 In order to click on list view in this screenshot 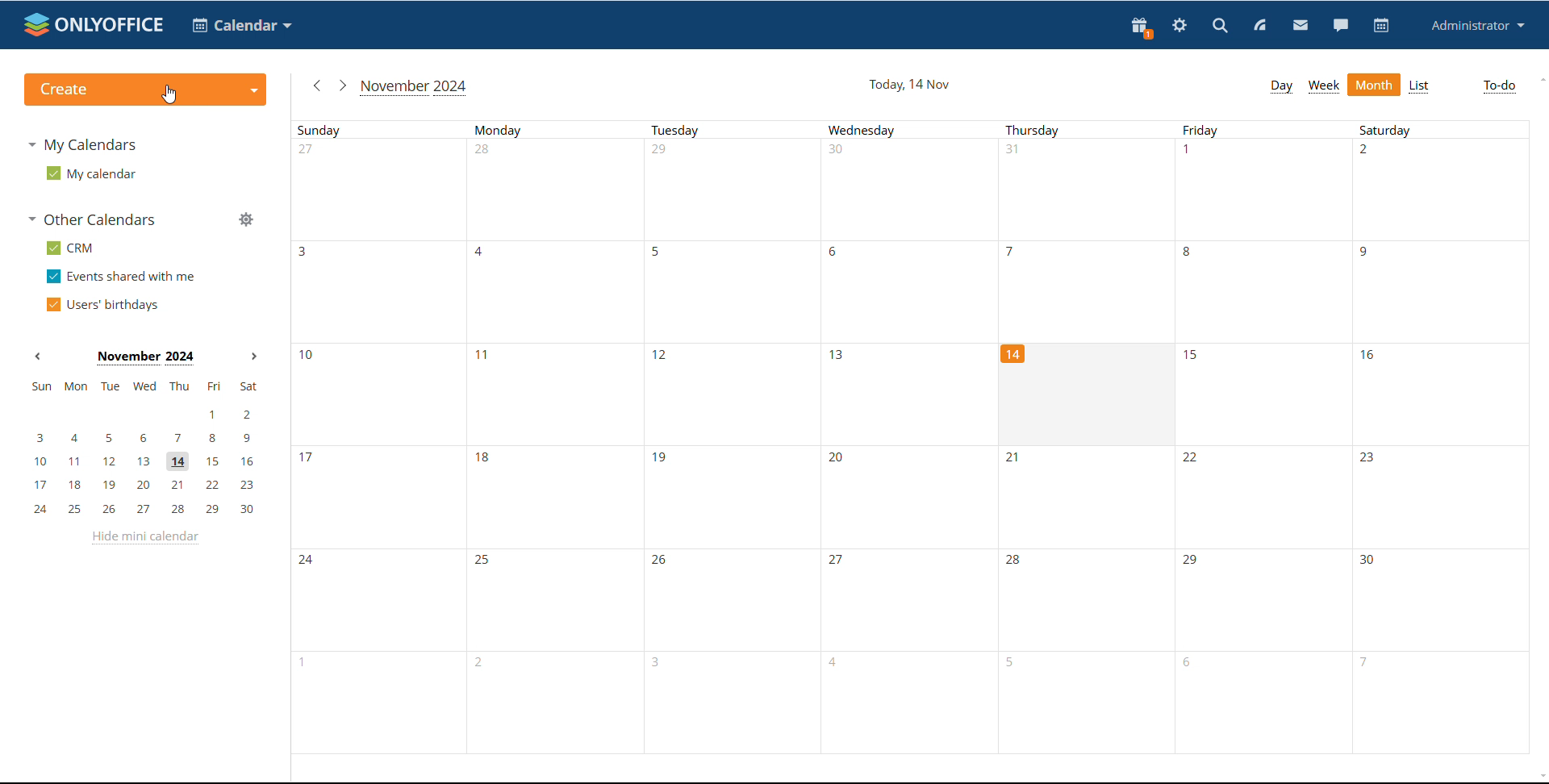, I will do `click(1418, 86)`.